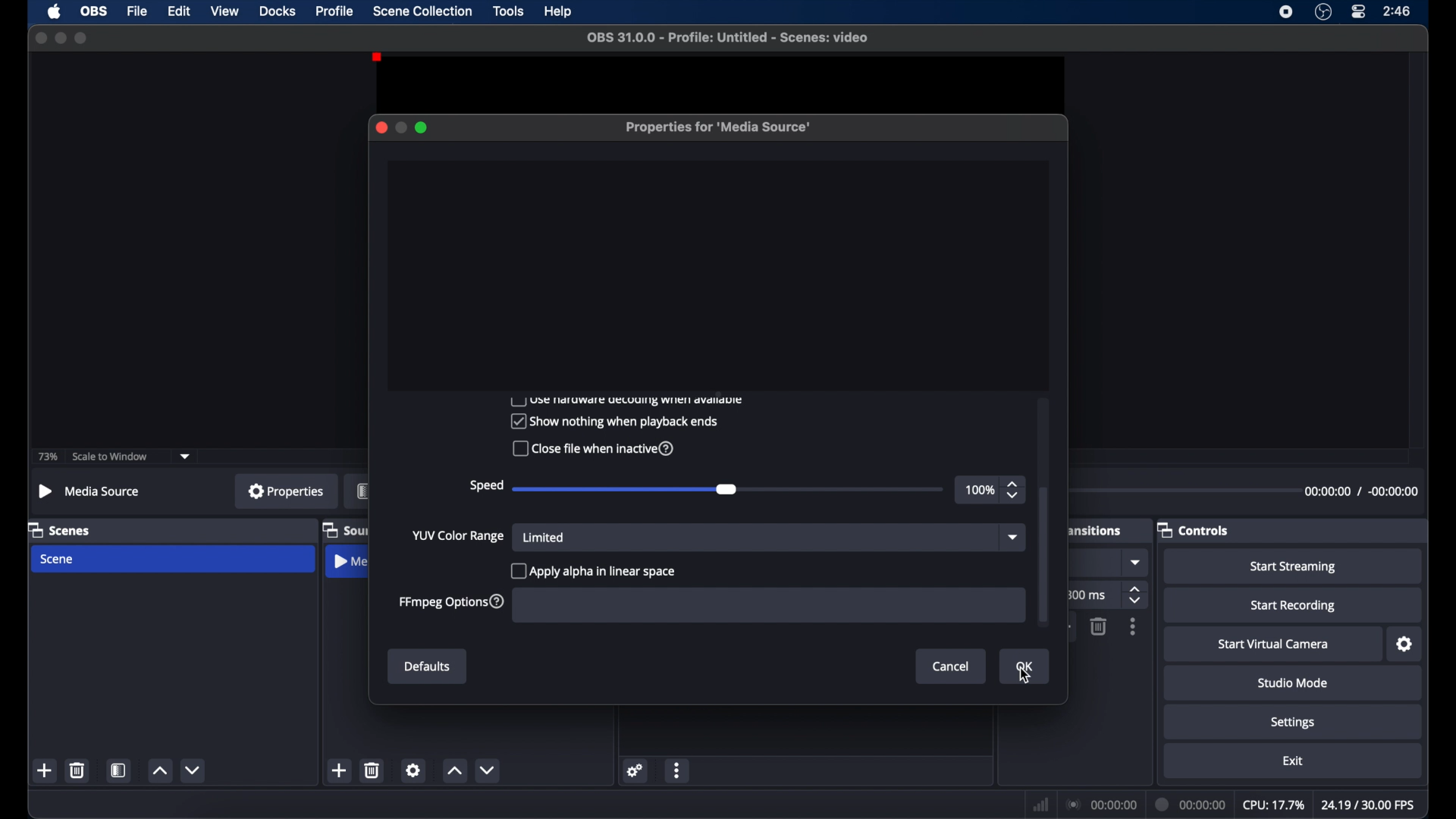  I want to click on time, so click(1398, 11).